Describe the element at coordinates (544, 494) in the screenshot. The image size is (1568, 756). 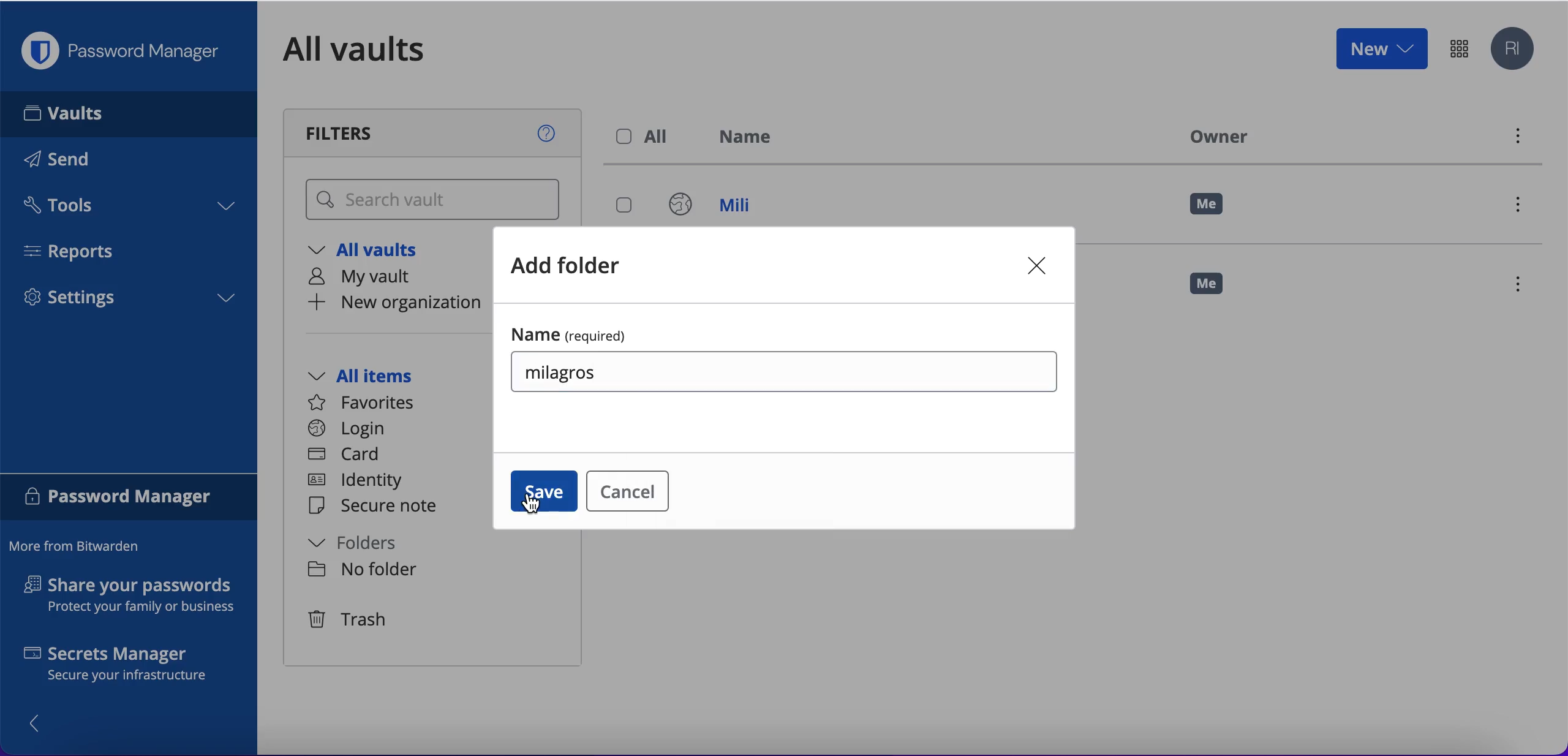
I see `save` at that location.